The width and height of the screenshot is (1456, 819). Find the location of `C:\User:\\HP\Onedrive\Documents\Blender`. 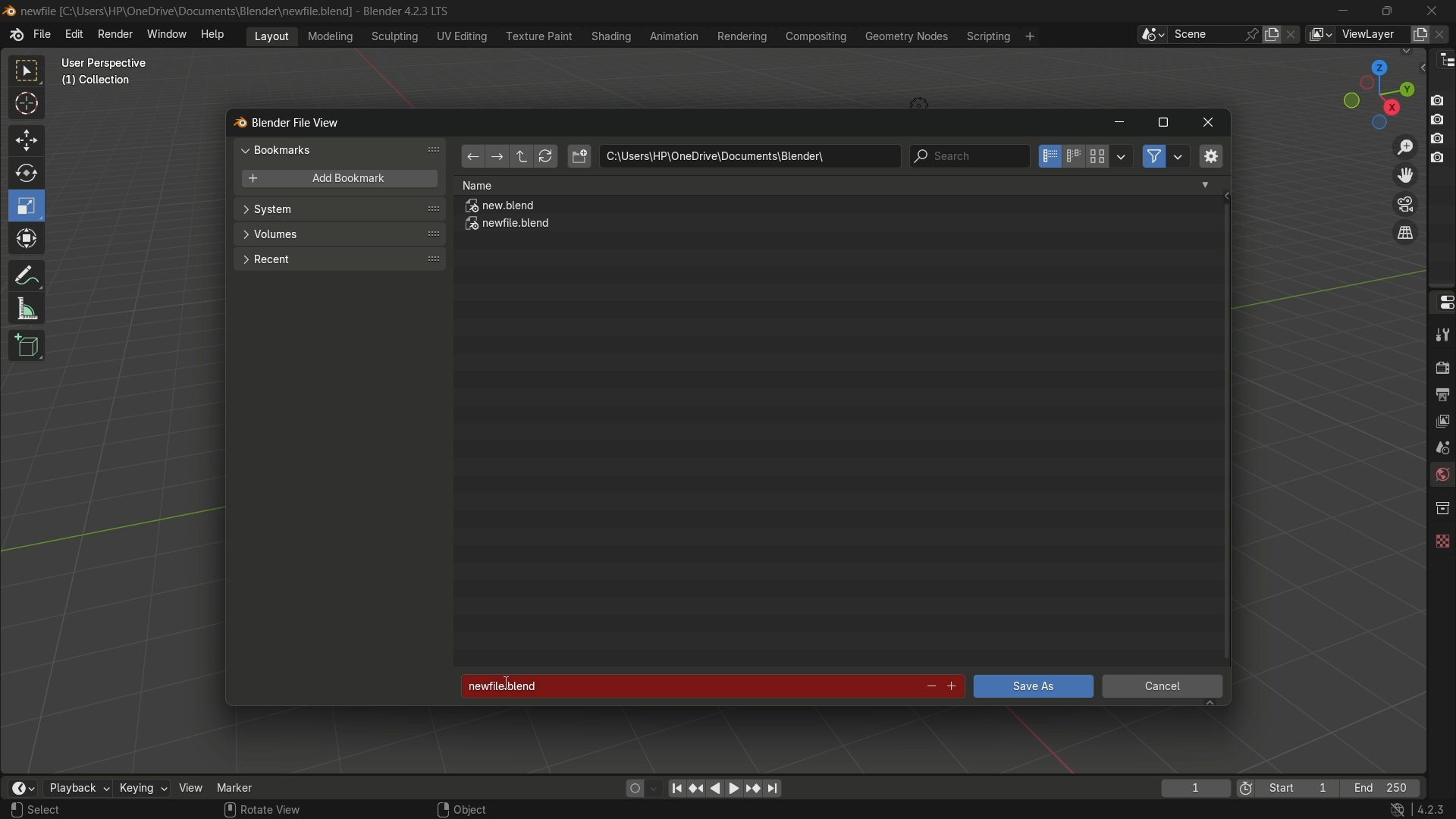

C:\User:\\HP\Onedrive\Documents\Blender is located at coordinates (187, 11).